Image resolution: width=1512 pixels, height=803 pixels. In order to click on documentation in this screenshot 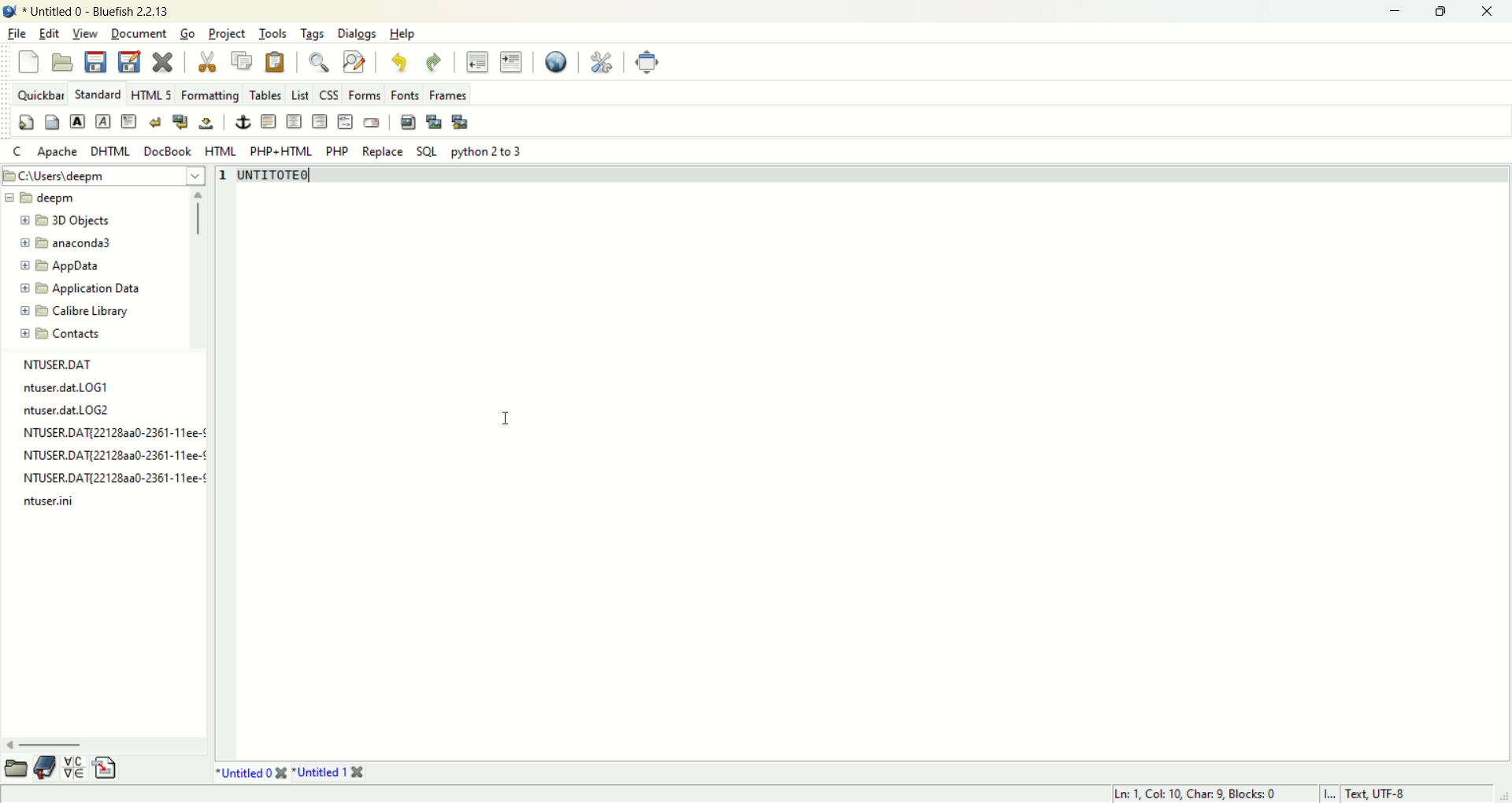, I will do `click(45, 769)`.